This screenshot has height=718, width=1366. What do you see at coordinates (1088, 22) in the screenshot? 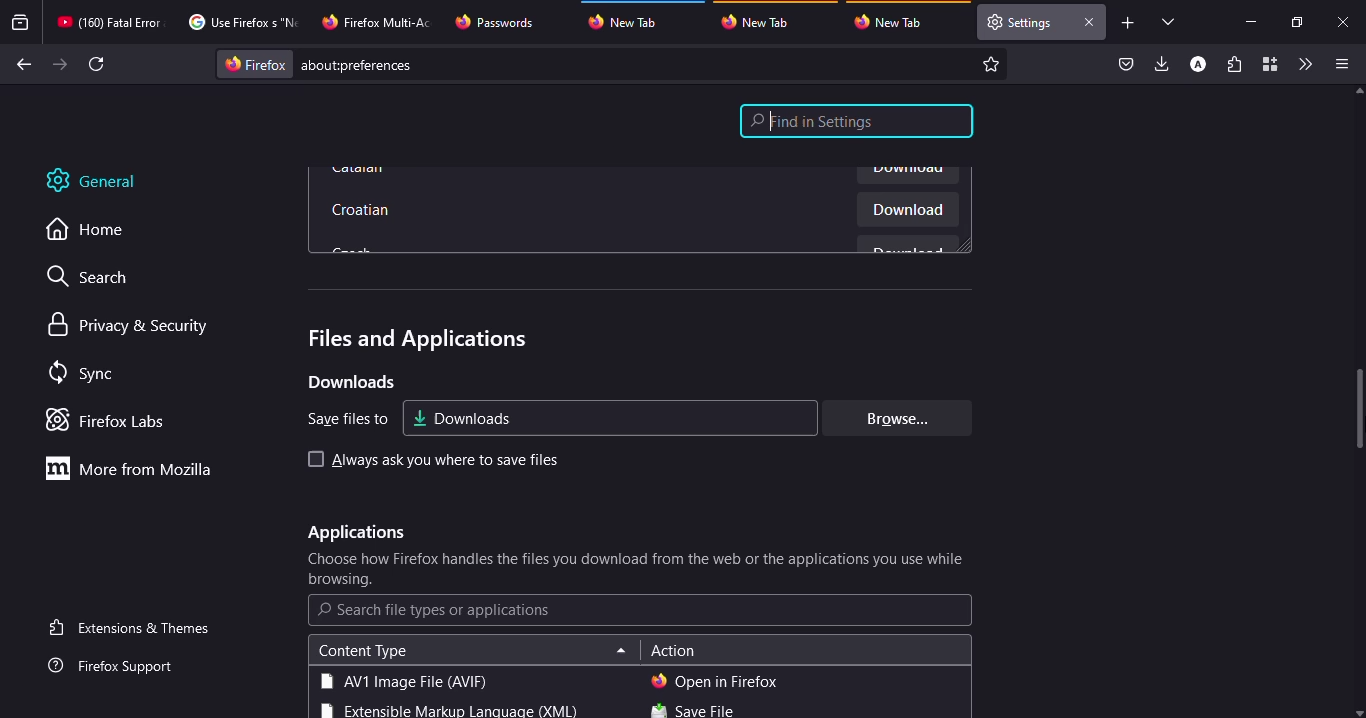
I see `close` at bounding box center [1088, 22].